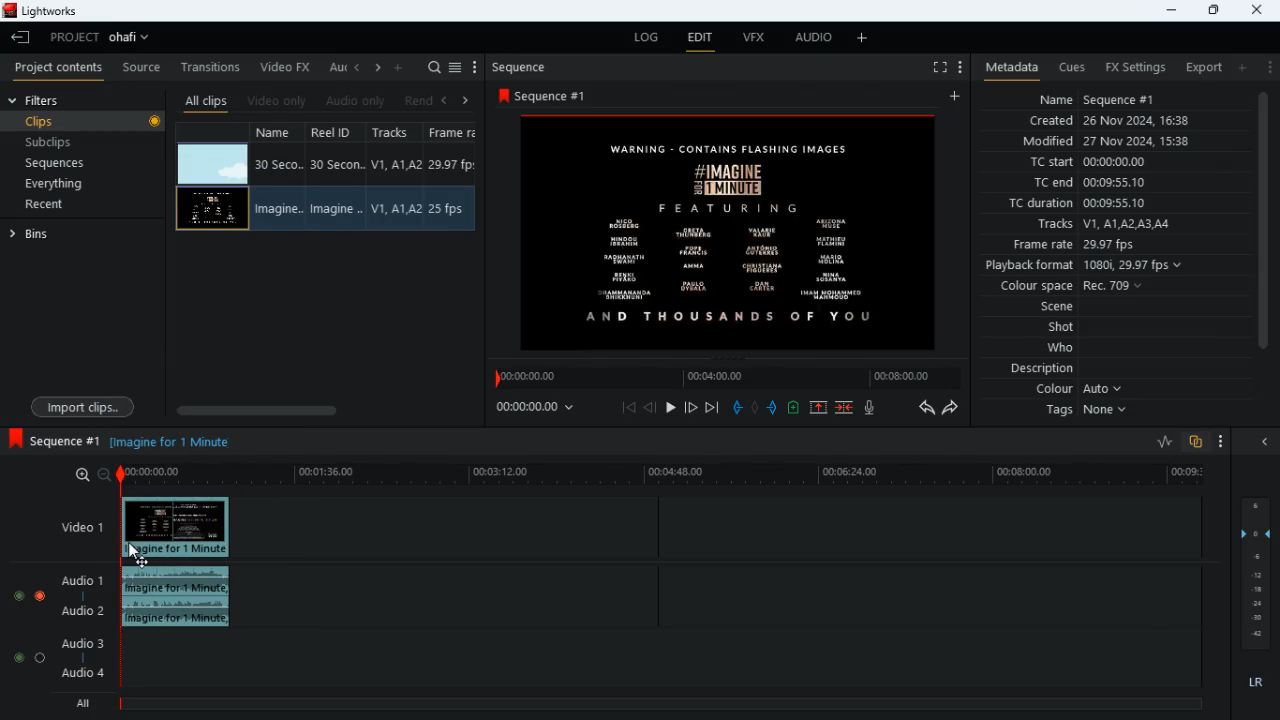 Image resolution: width=1280 pixels, height=720 pixels. I want to click on left, so click(359, 65).